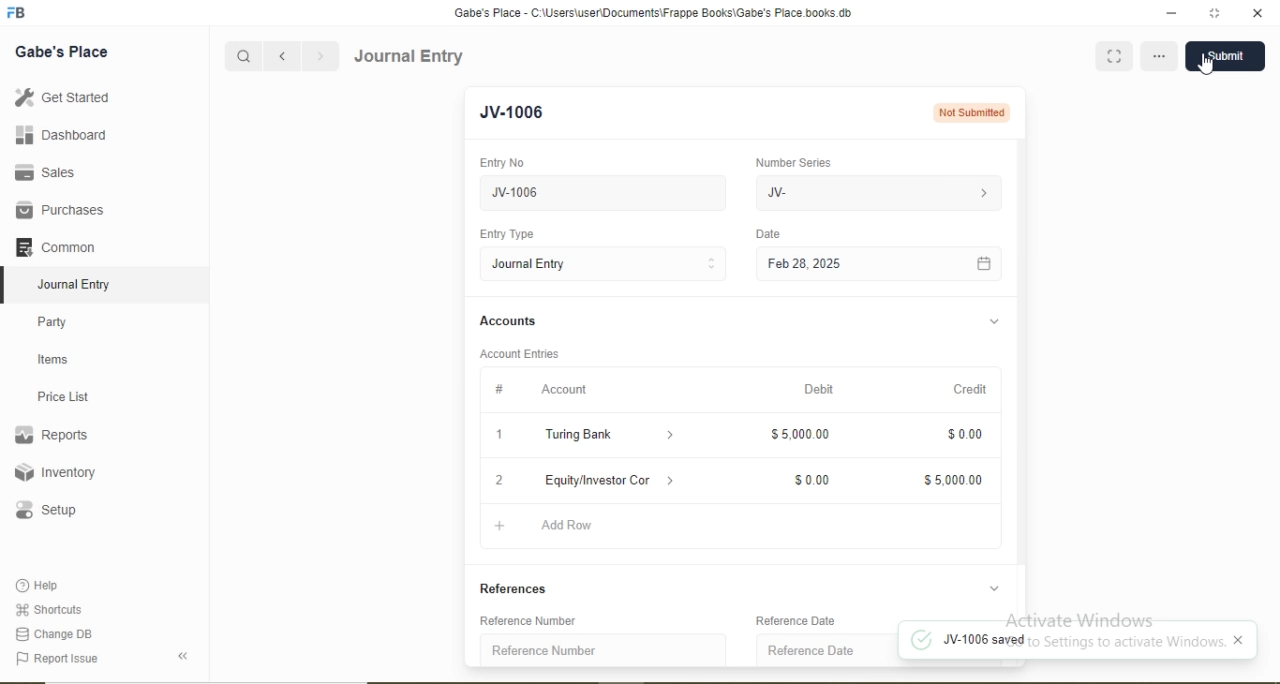  I want to click on Price List, so click(62, 397).